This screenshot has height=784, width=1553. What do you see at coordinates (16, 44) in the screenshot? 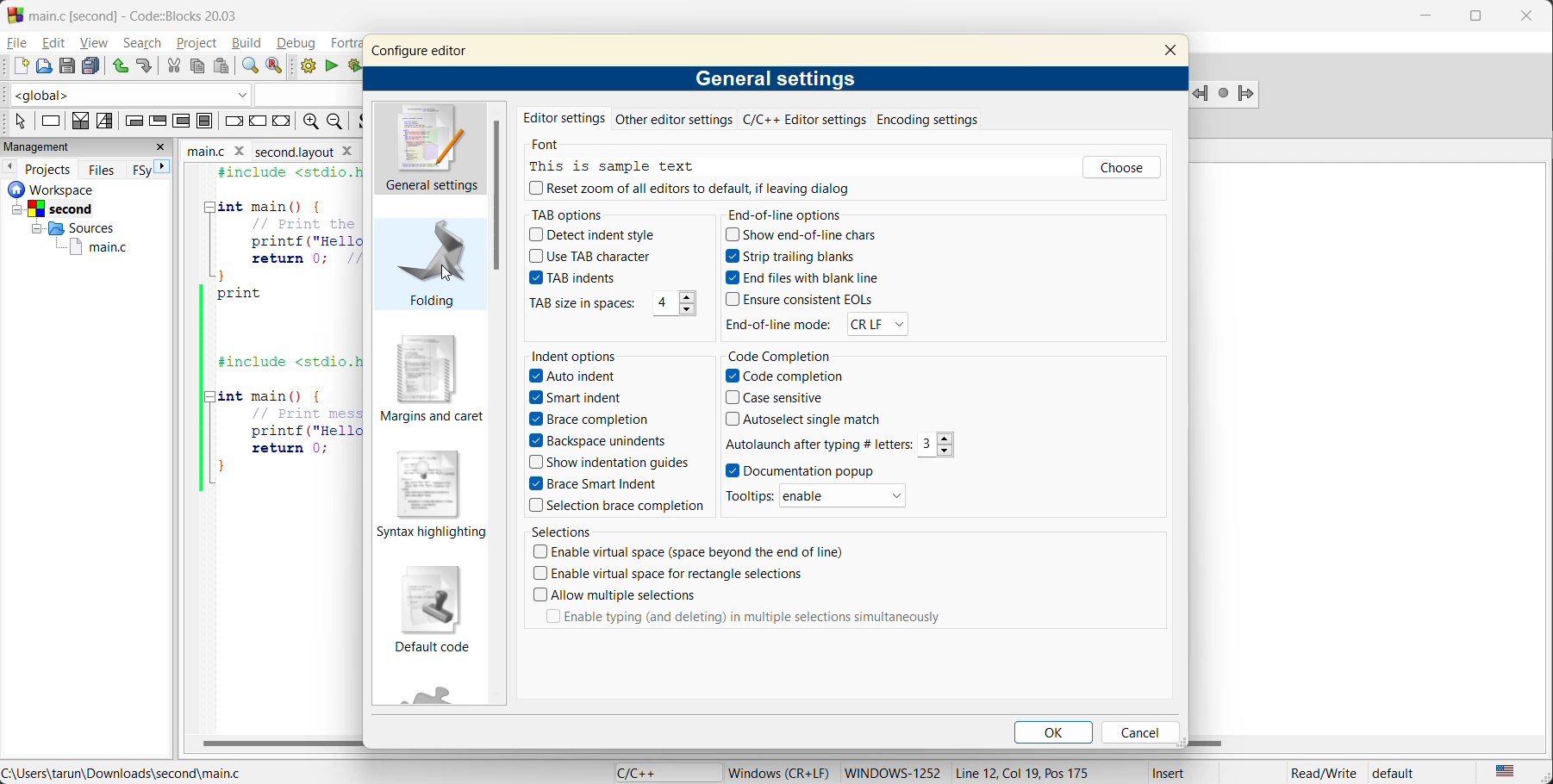
I see `file` at bounding box center [16, 44].